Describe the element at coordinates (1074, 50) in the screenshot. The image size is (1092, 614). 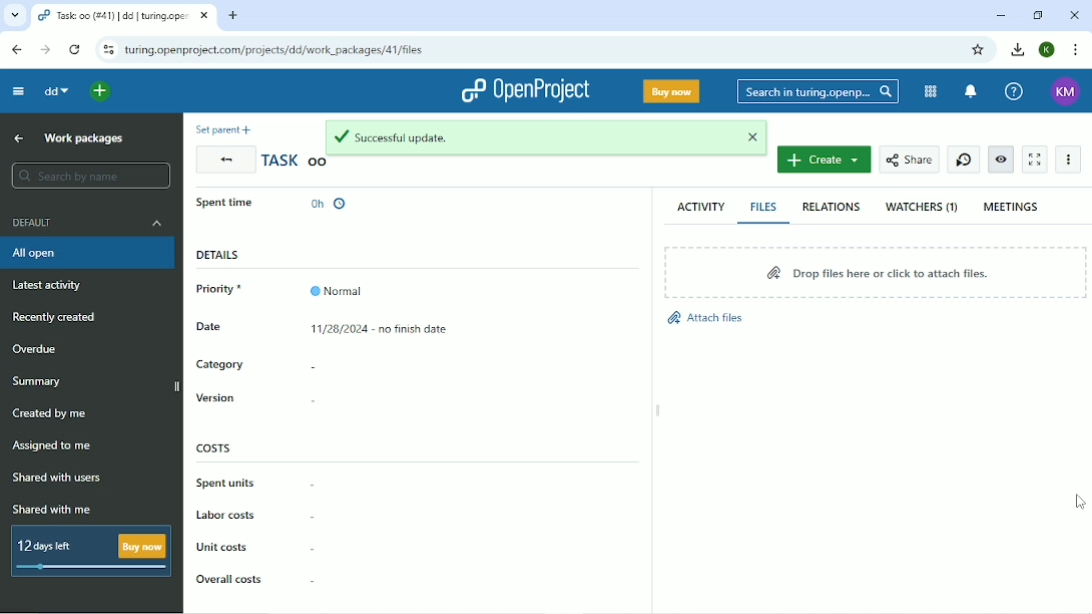
I see `Customize and control google chrome` at that location.